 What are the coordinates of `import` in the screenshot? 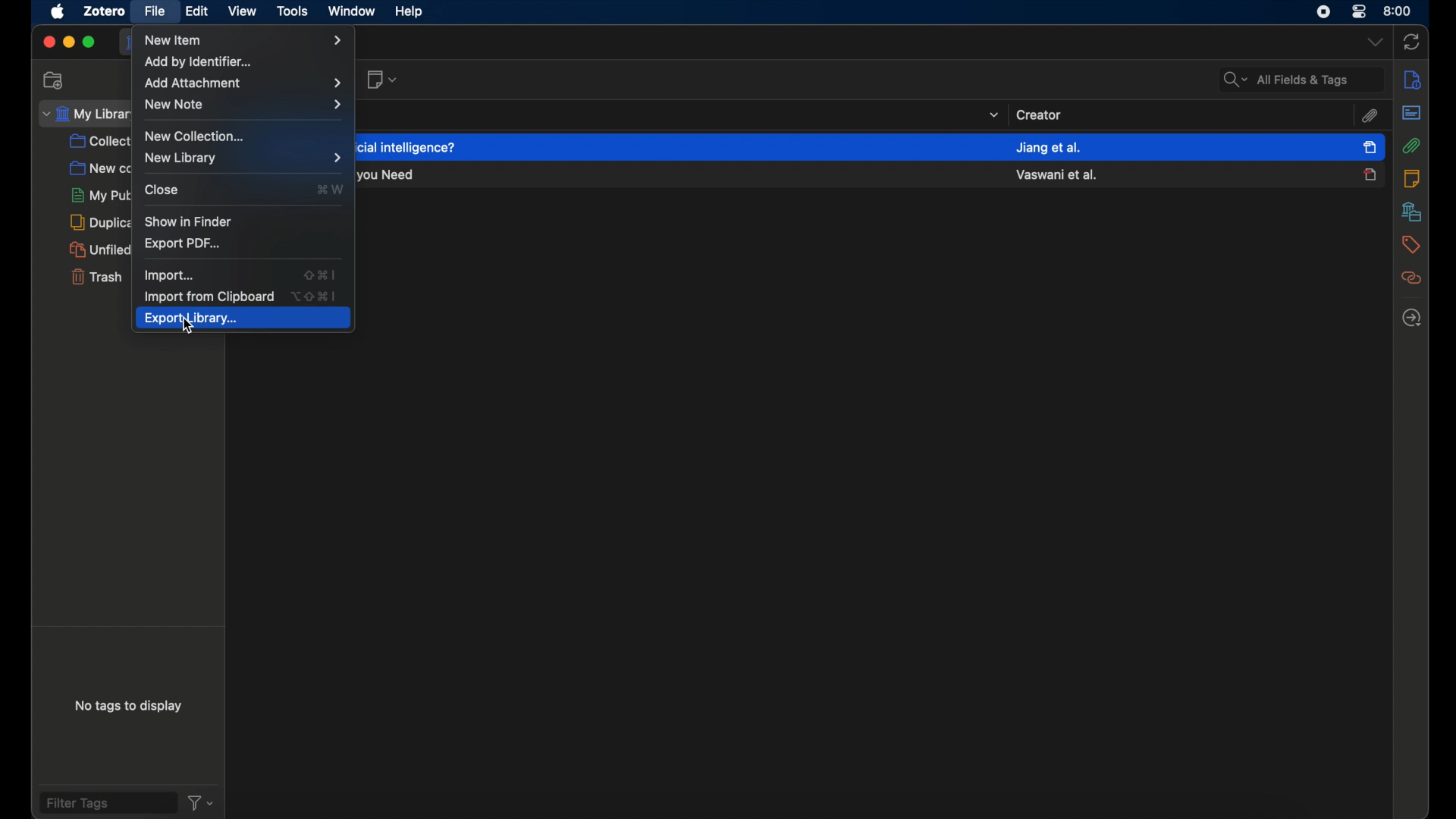 It's located at (169, 275).